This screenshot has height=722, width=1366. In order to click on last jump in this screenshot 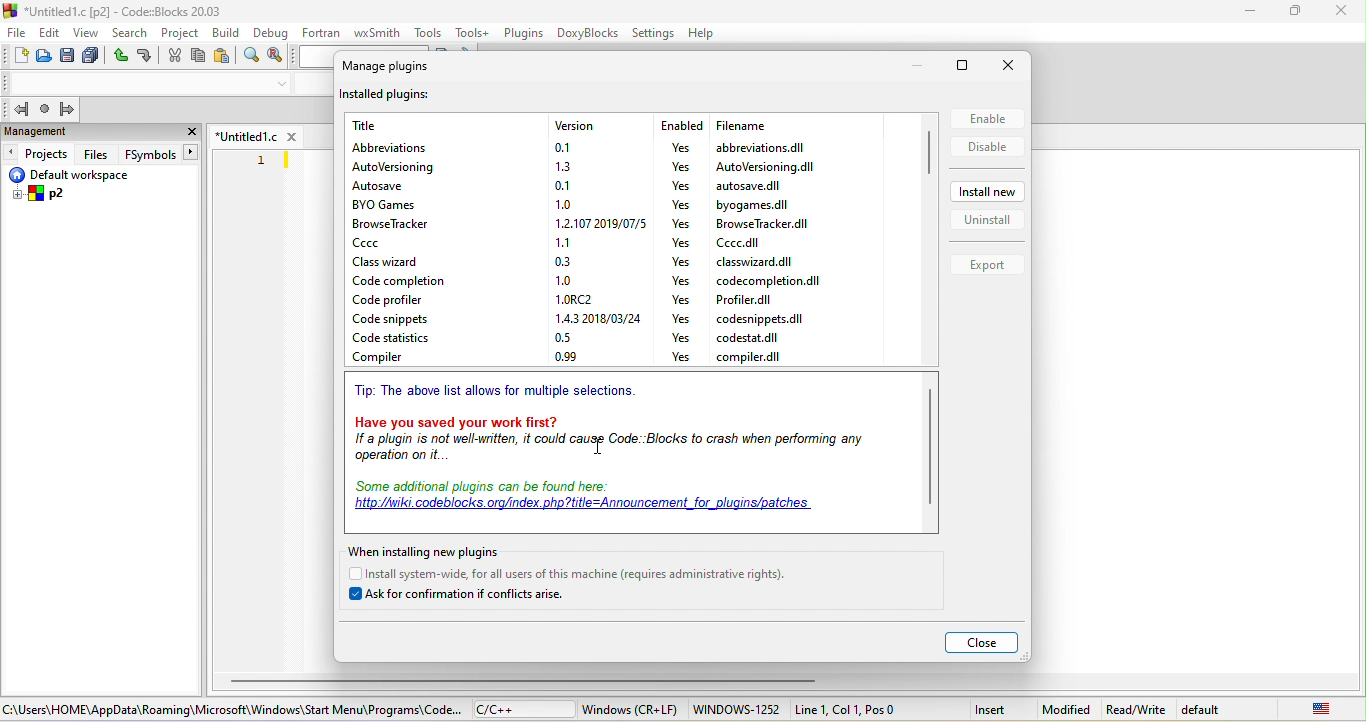, I will do `click(45, 110)`.